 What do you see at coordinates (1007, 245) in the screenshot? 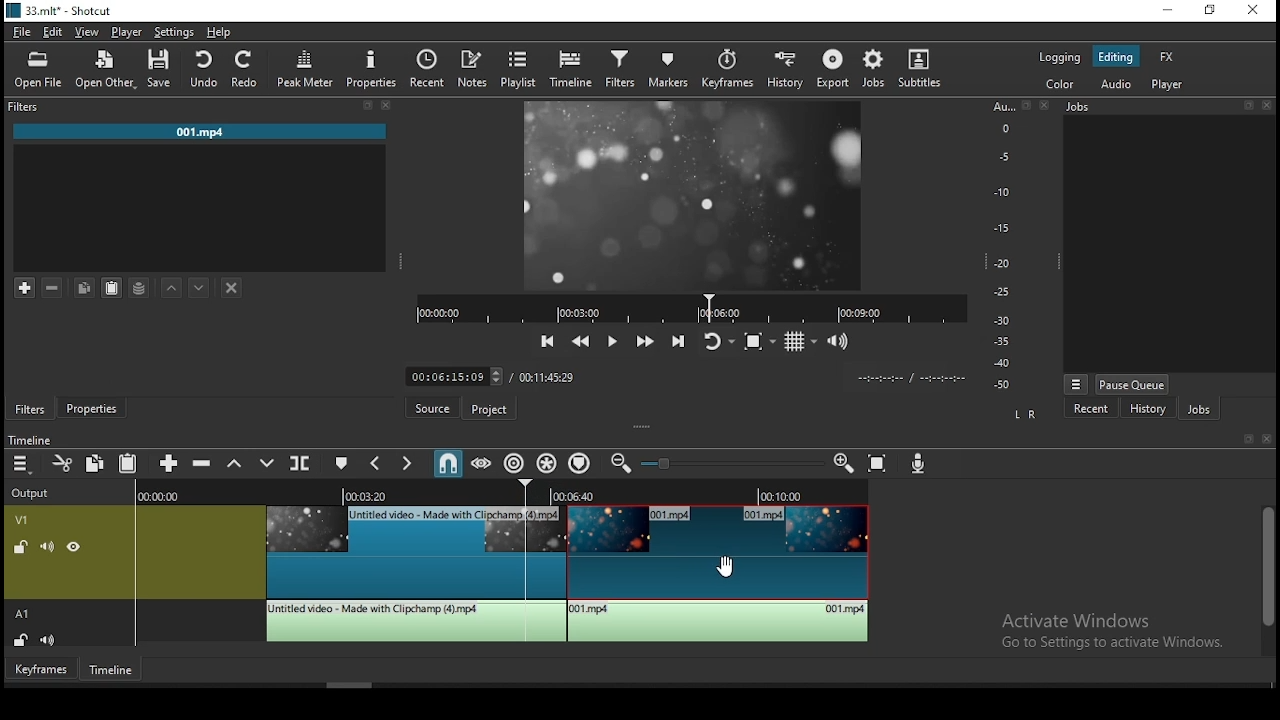
I see `scale` at bounding box center [1007, 245].